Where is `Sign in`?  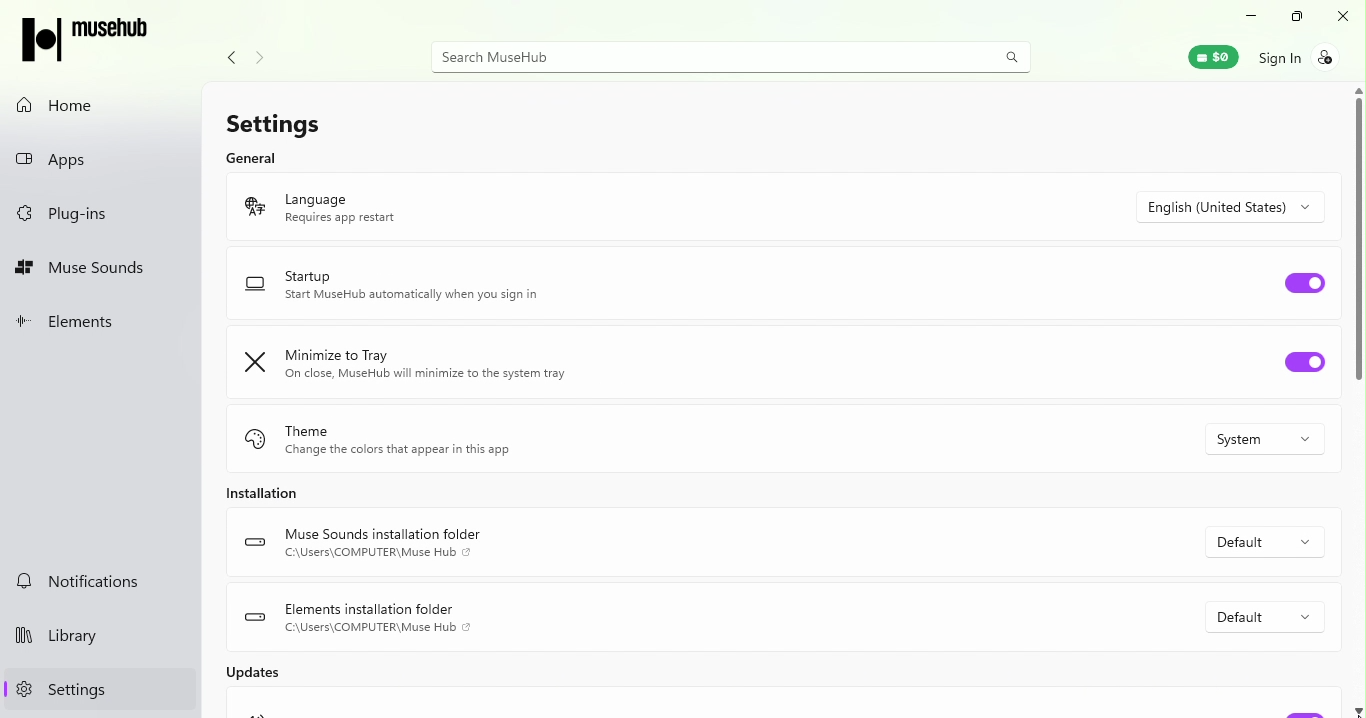 Sign in is located at coordinates (1300, 57).